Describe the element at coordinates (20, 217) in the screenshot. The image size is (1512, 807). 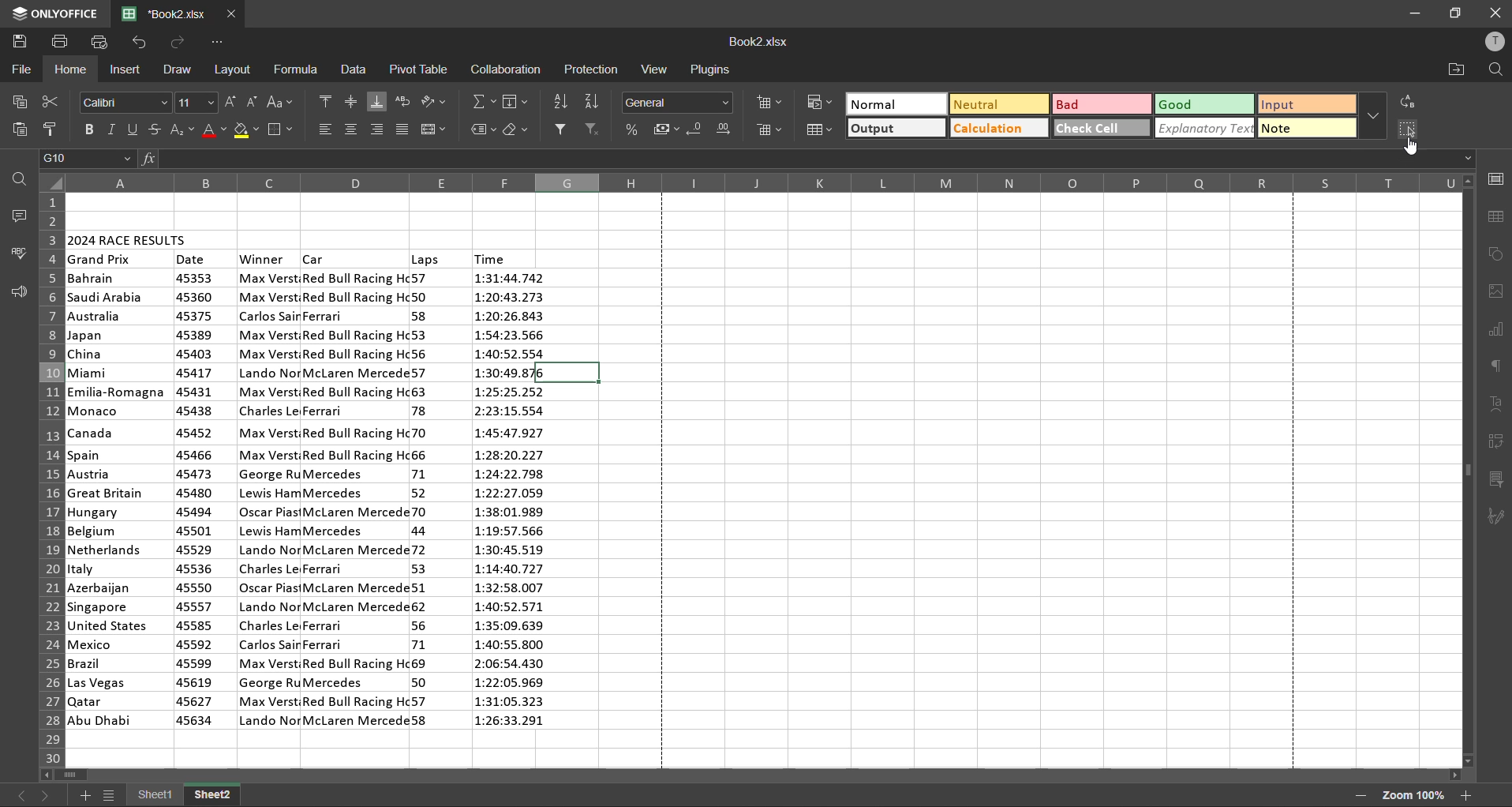
I see `comments` at that location.